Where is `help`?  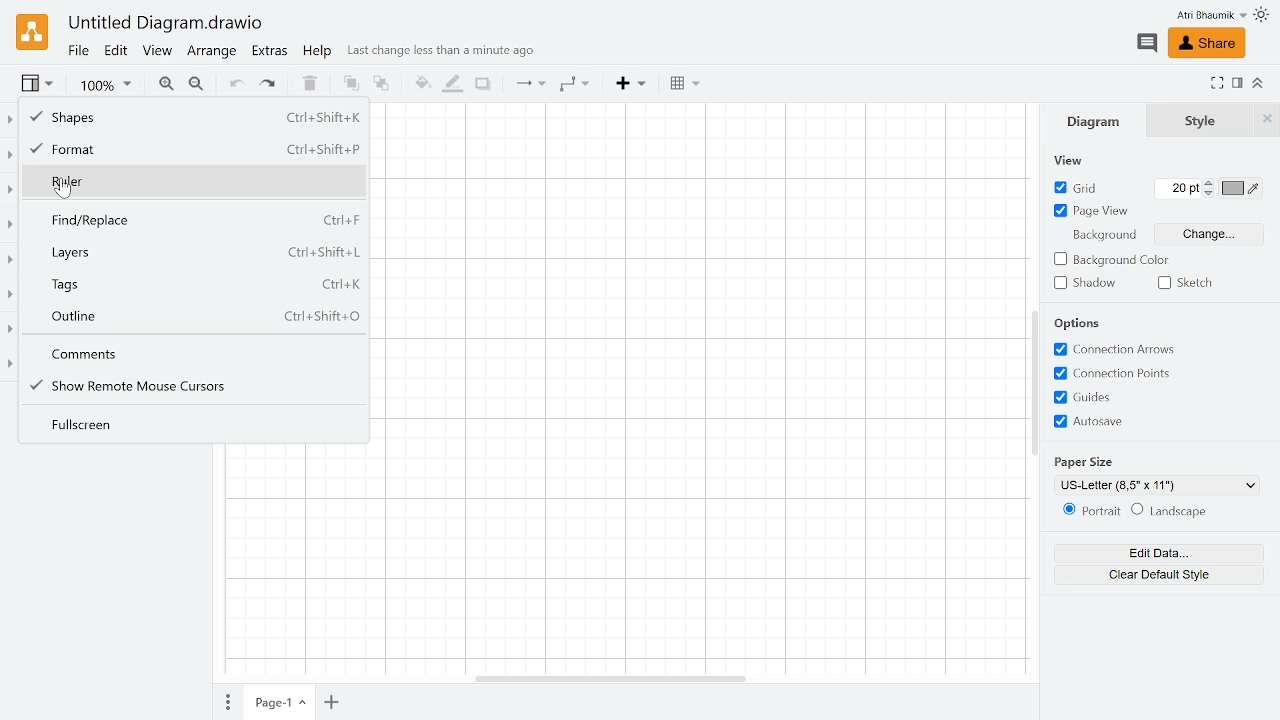
help is located at coordinates (318, 52).